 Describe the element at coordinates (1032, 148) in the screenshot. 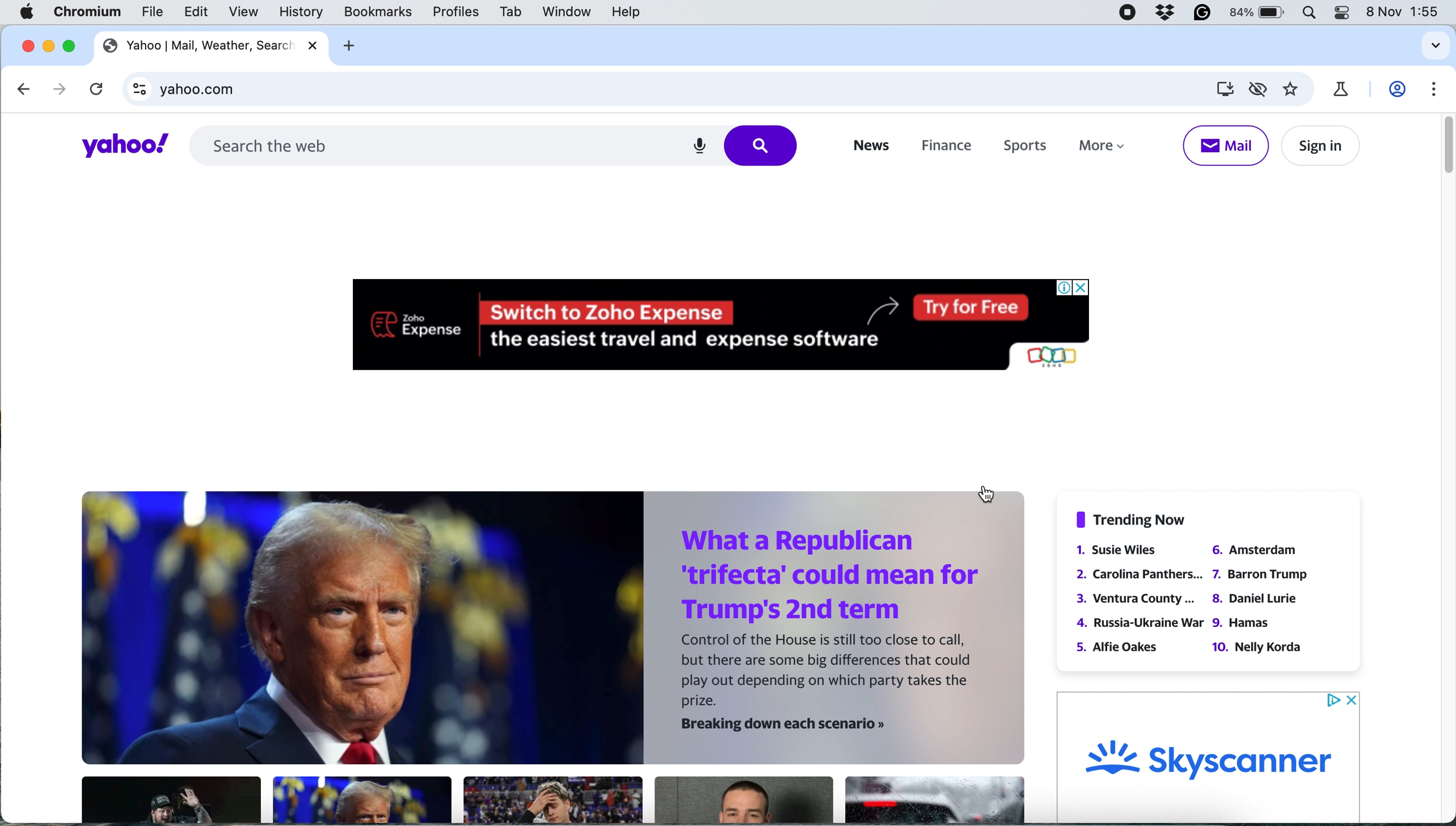

I see `sports` at that location.